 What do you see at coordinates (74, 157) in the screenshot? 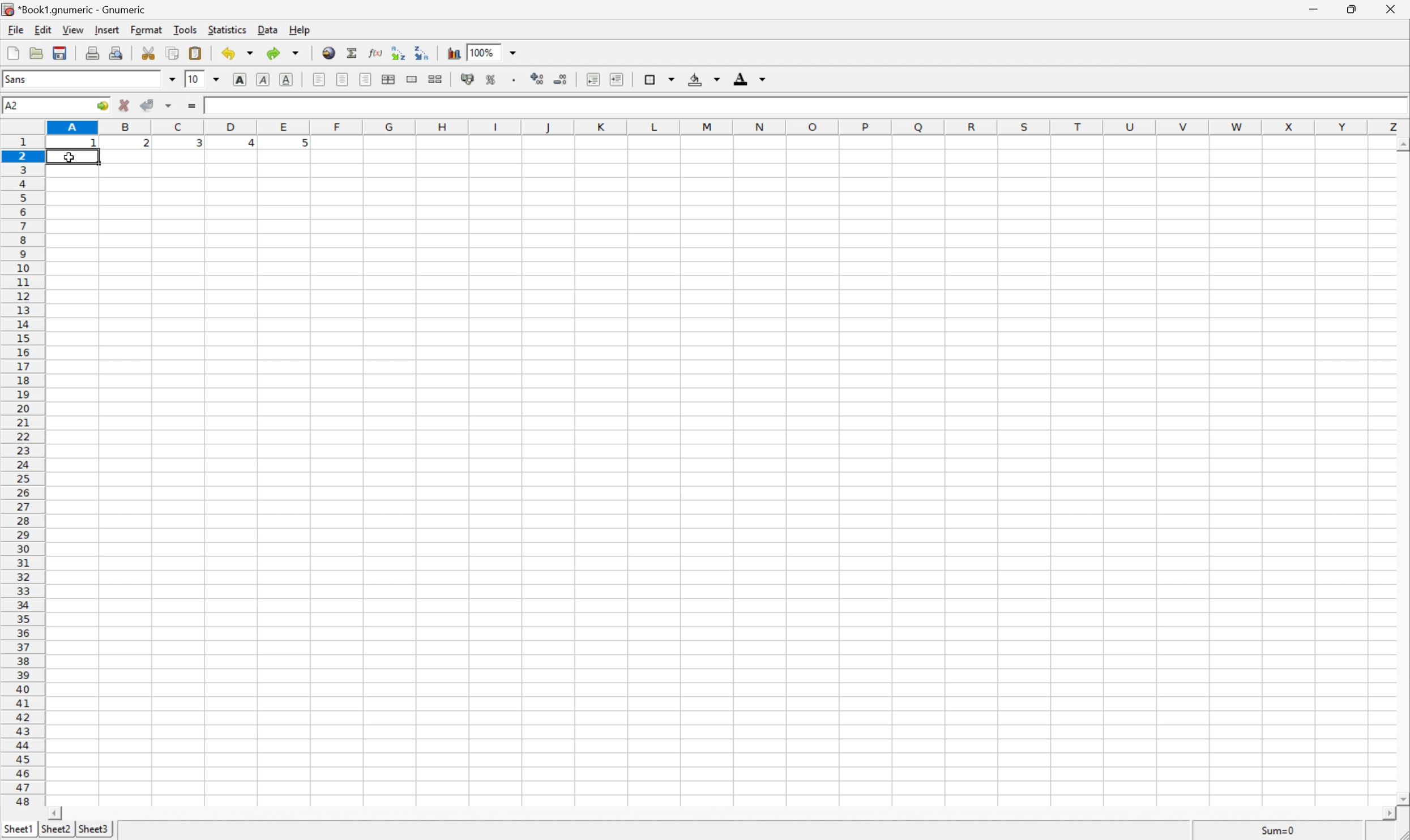
I see `selected cell` at bounding box center [74, 157].